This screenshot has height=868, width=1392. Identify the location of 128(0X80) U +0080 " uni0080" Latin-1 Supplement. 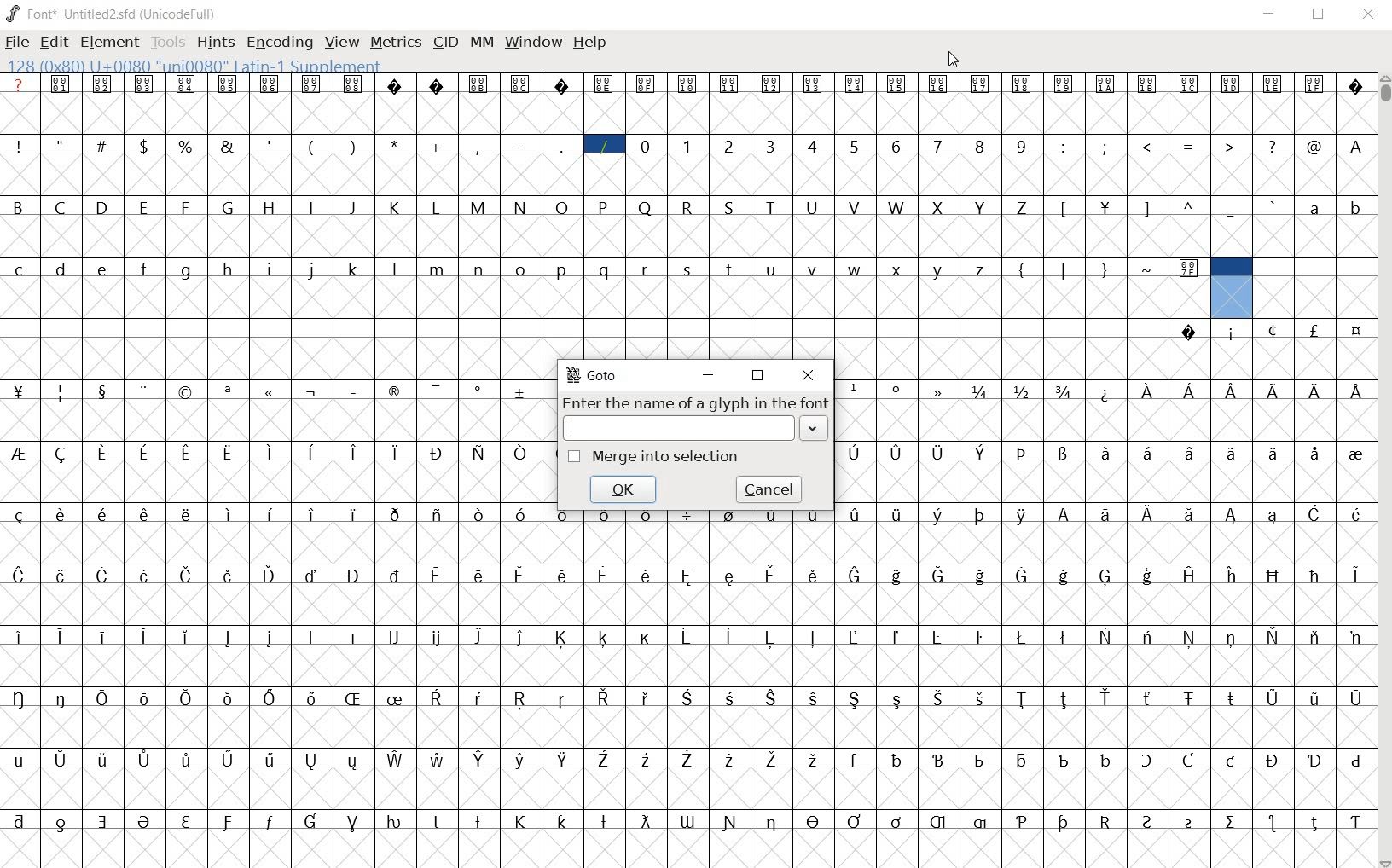
(192, 64).